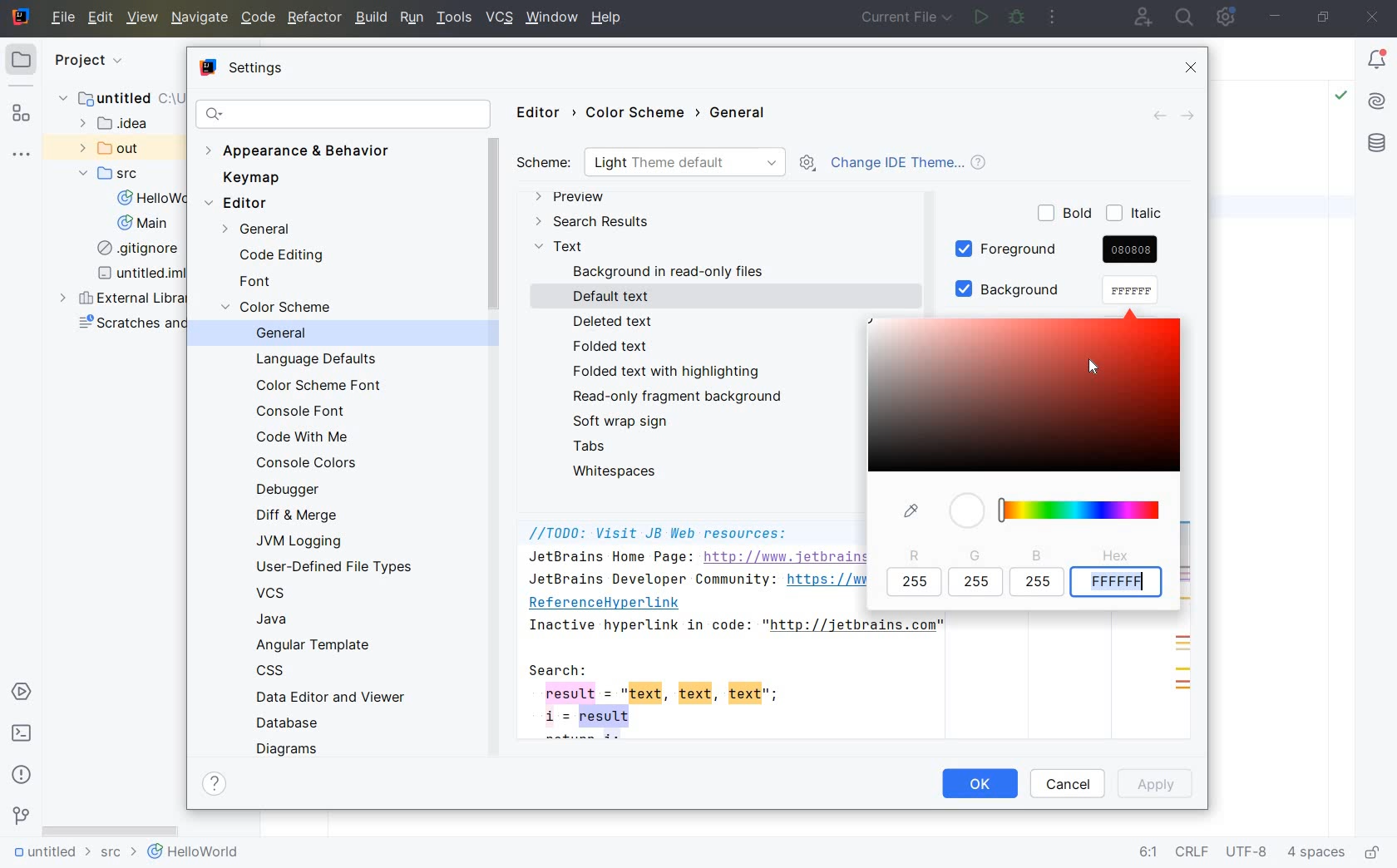 This screenshot has height=868, width=1397. Describe the element at coordinates (1017, 17) in the screenshot. I see `debug` at that location.